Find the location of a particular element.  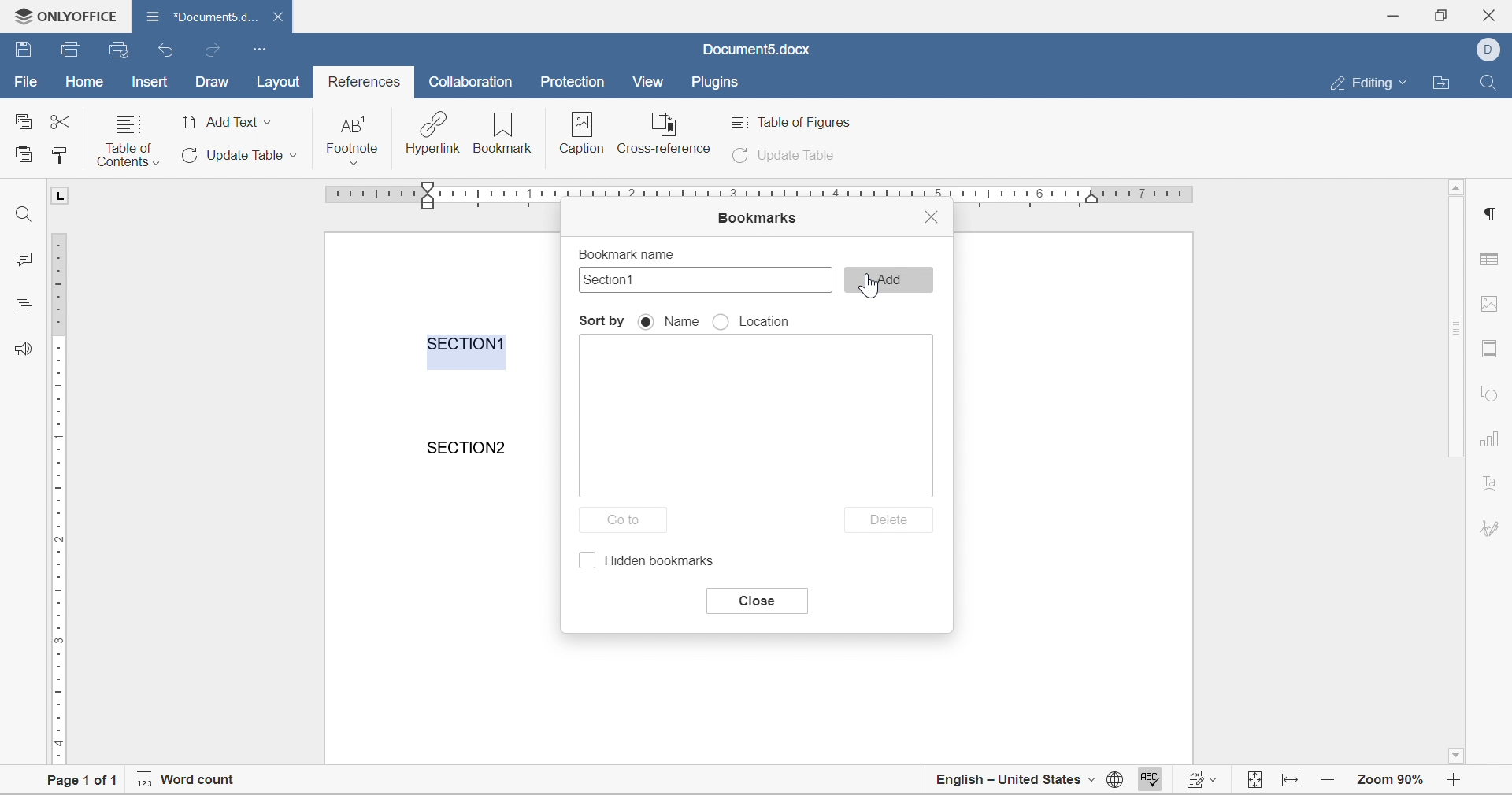

ONLYOFFICE is located at coordinates (61, 13).